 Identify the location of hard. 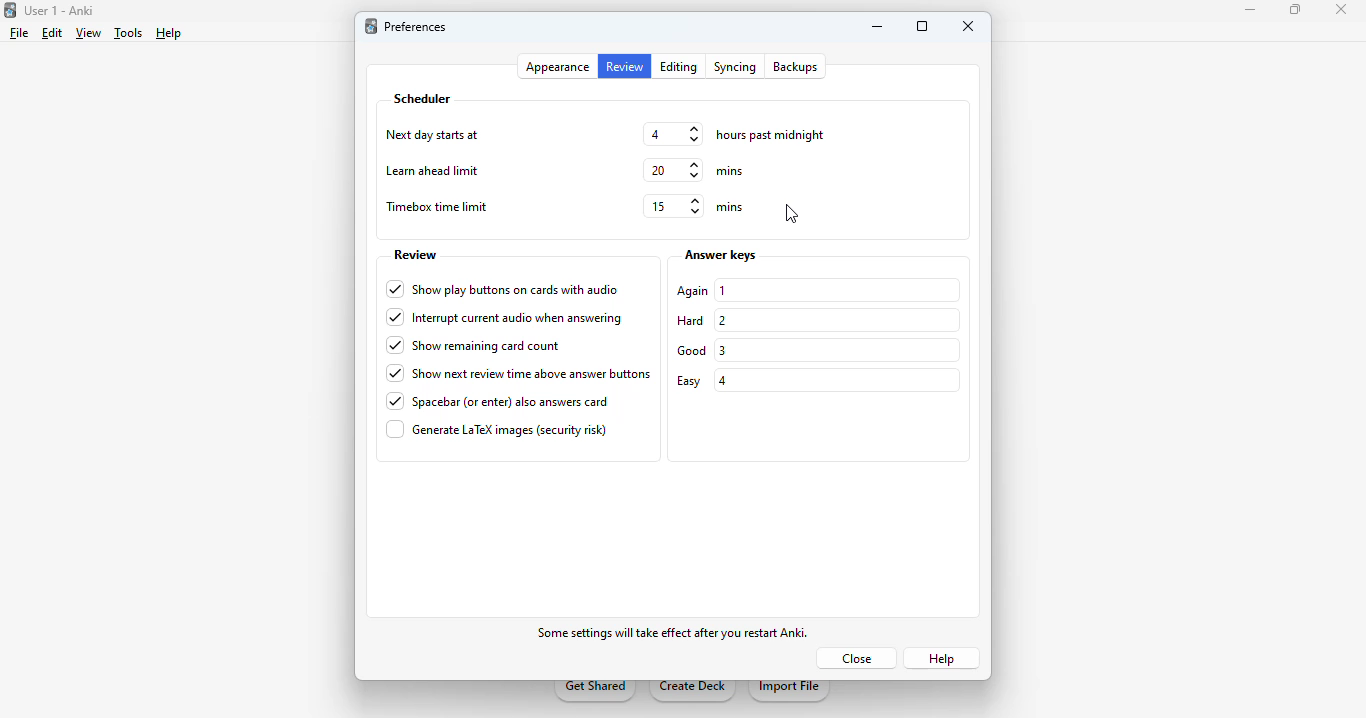
(690, 321).